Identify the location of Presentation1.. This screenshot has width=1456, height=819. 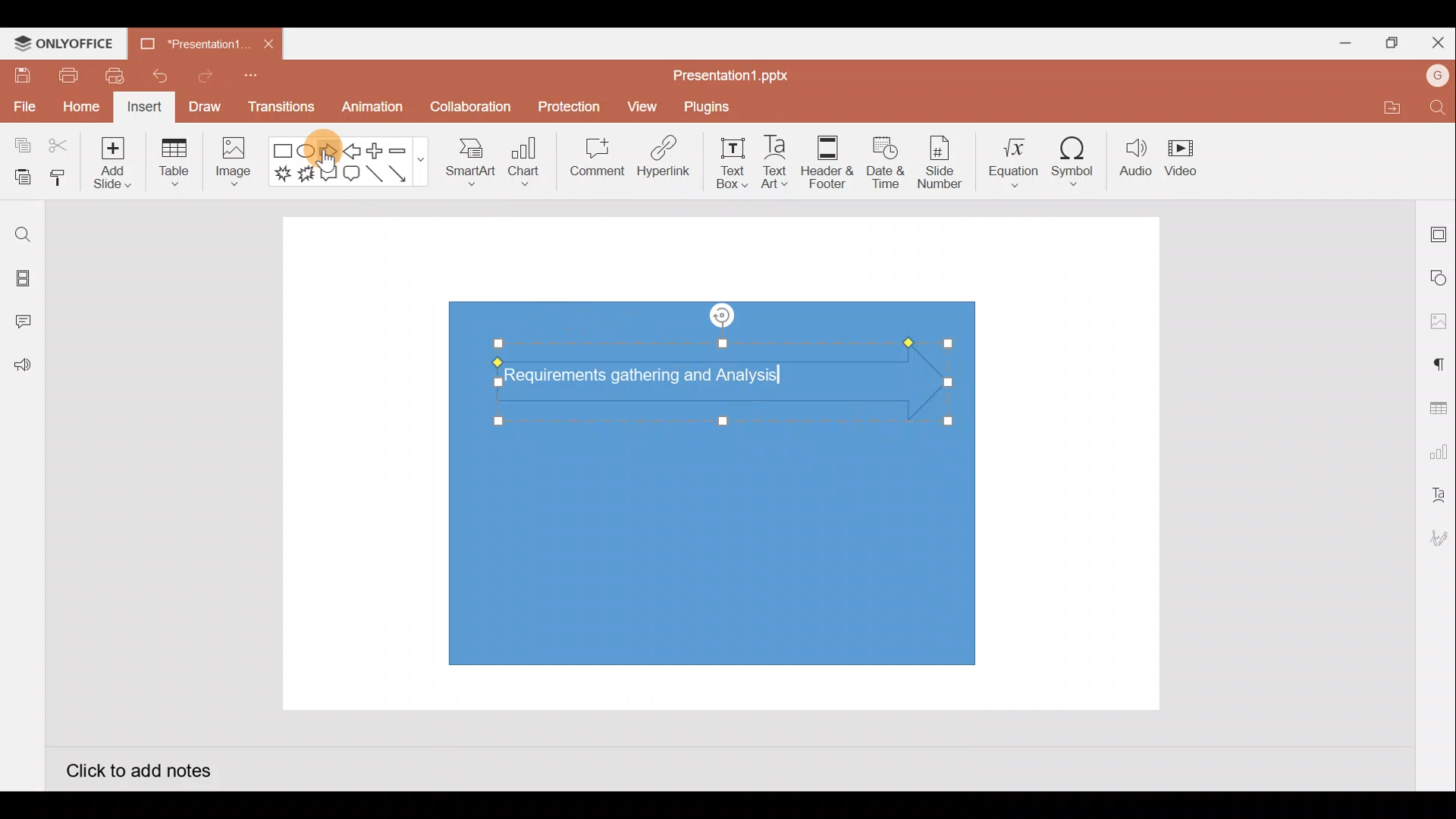
(190, 41).